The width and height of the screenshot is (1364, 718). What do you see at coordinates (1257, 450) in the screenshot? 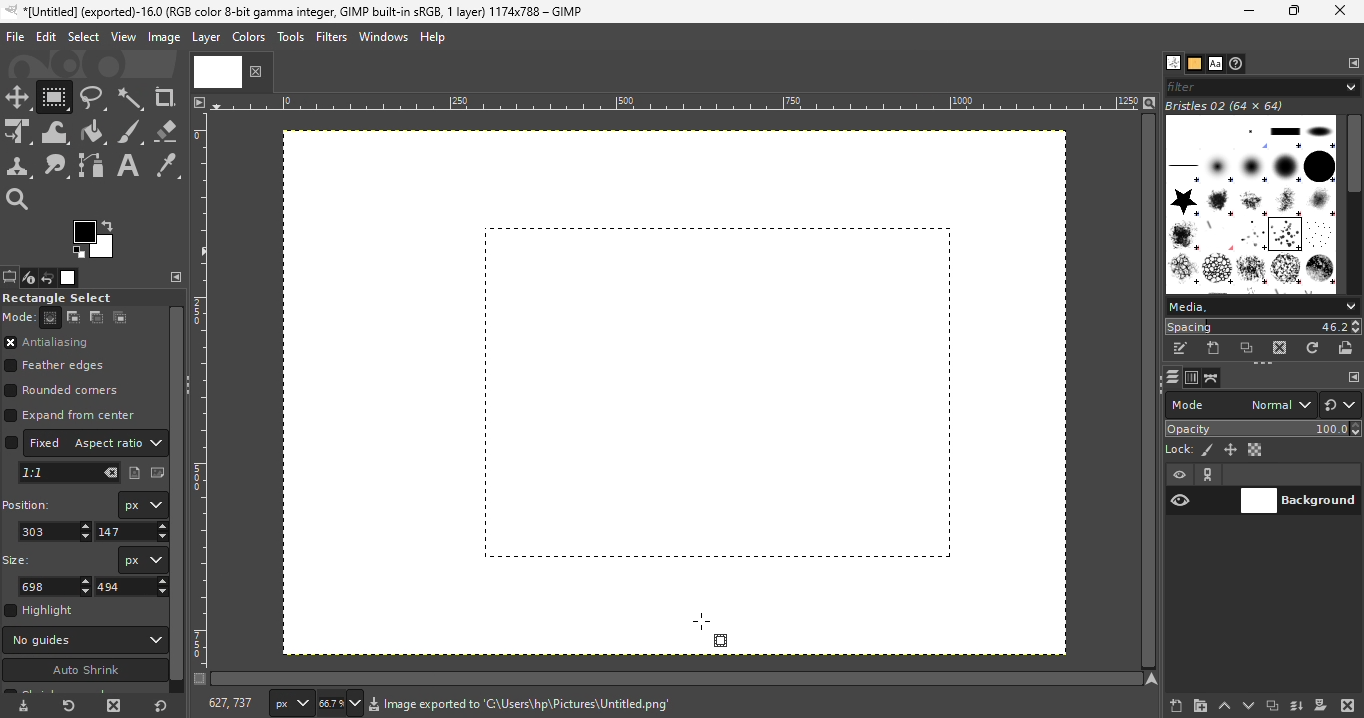
I see `Lock alpha channel` at bounding box center [1257, 450].